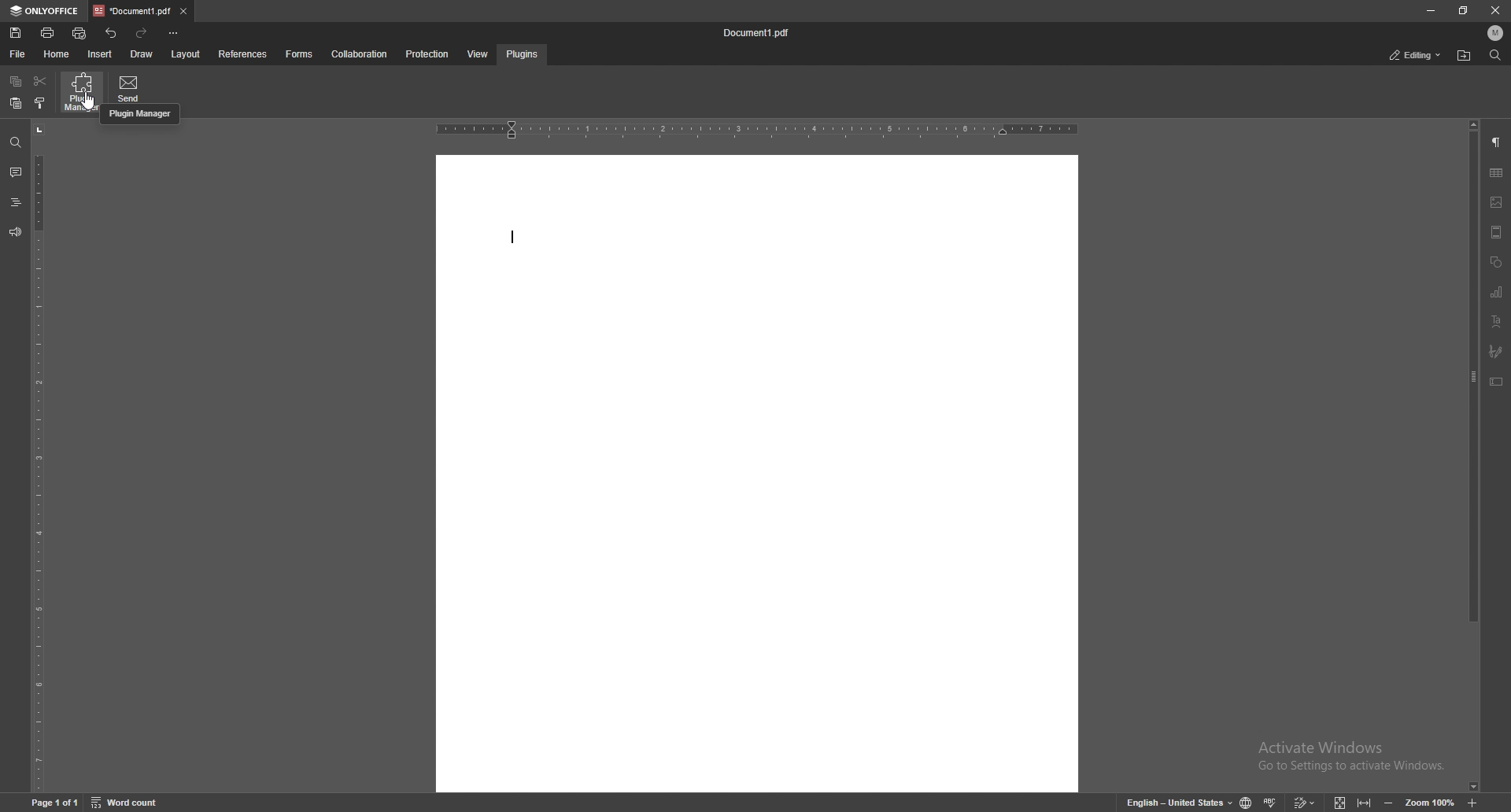  Describe the element at coordinates (184, 12) in the screenshot. I see `close tab` at that location.